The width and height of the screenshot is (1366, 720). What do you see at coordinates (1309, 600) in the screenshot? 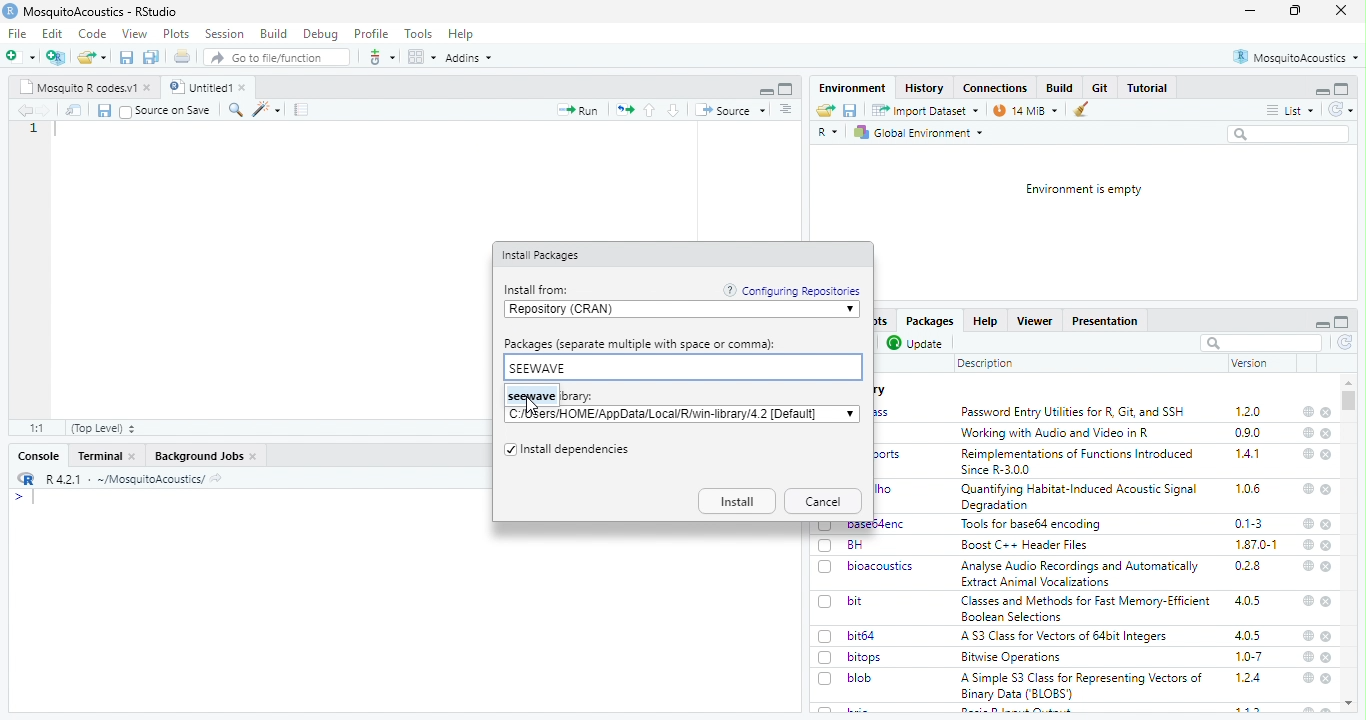
I see `web` at bounding box center [1309, 600].